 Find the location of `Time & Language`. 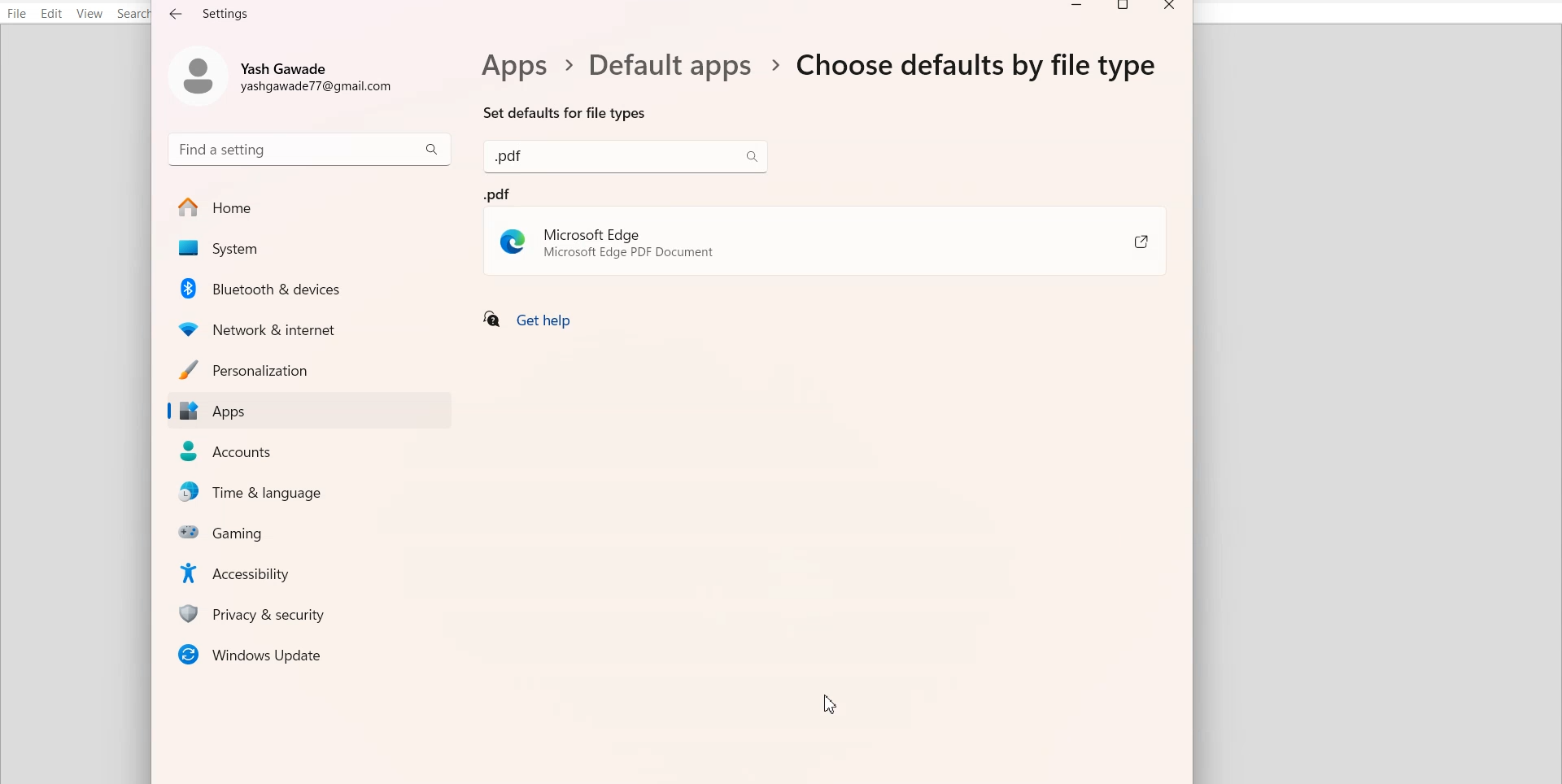

Time & Language is located at coordinates (314, 493).